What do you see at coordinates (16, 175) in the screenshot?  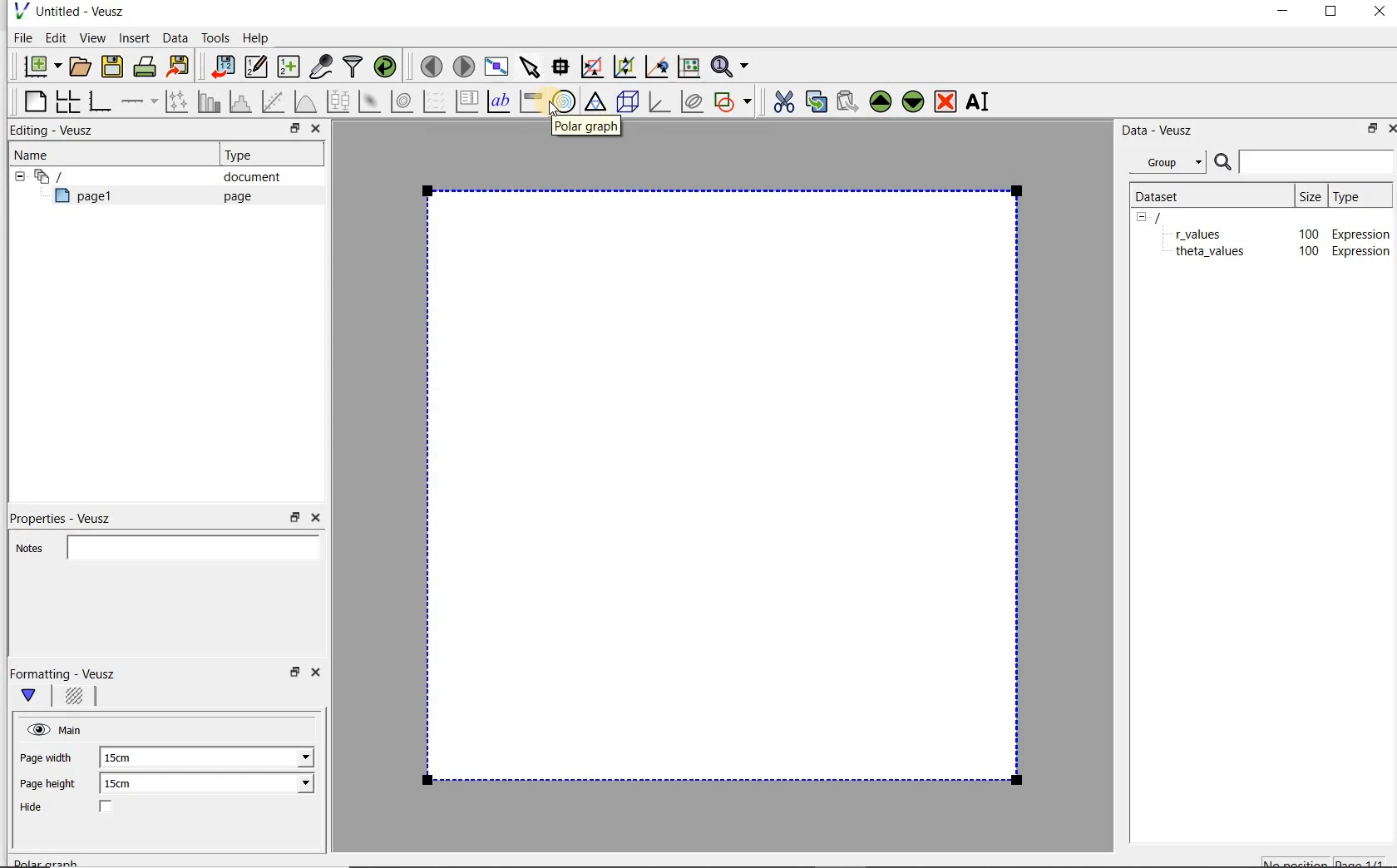 I see `hide sub menu` at bounding box center [16, 175].